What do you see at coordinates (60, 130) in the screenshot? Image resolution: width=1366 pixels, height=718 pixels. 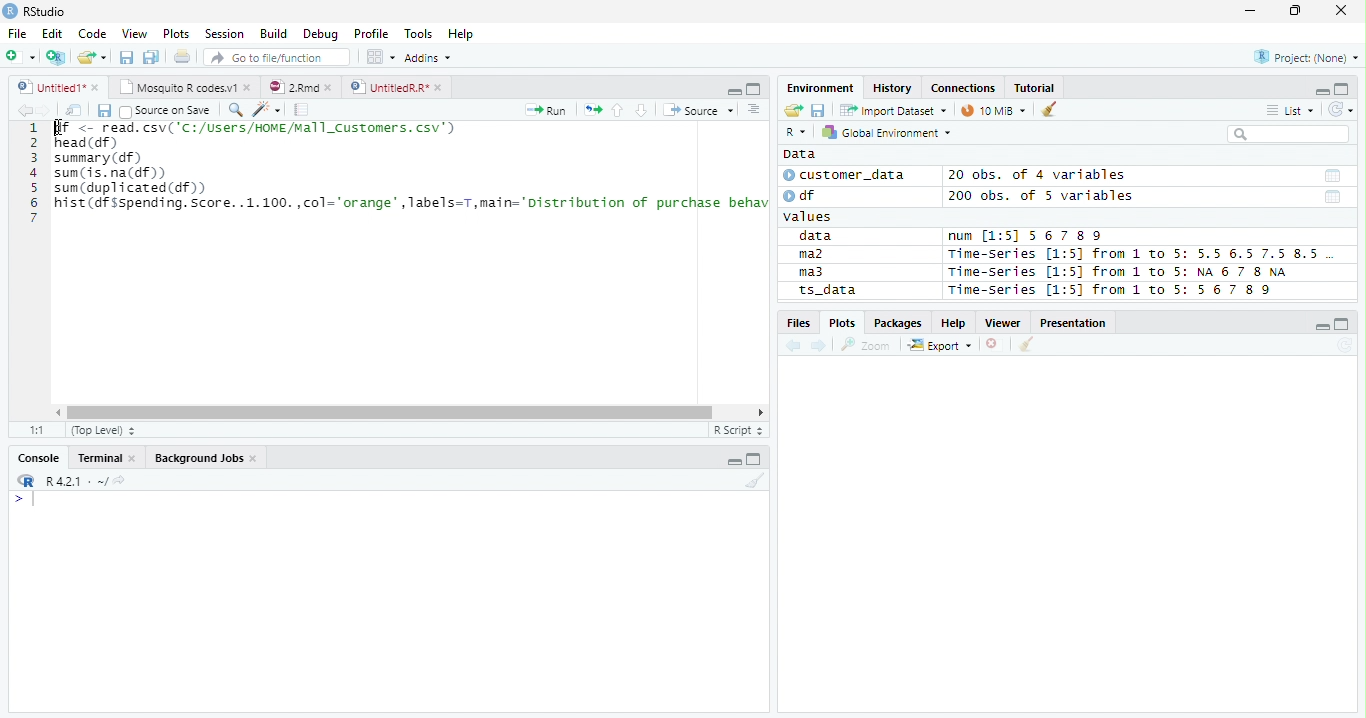 I see `Cursor` at bounding box center [60, 130].